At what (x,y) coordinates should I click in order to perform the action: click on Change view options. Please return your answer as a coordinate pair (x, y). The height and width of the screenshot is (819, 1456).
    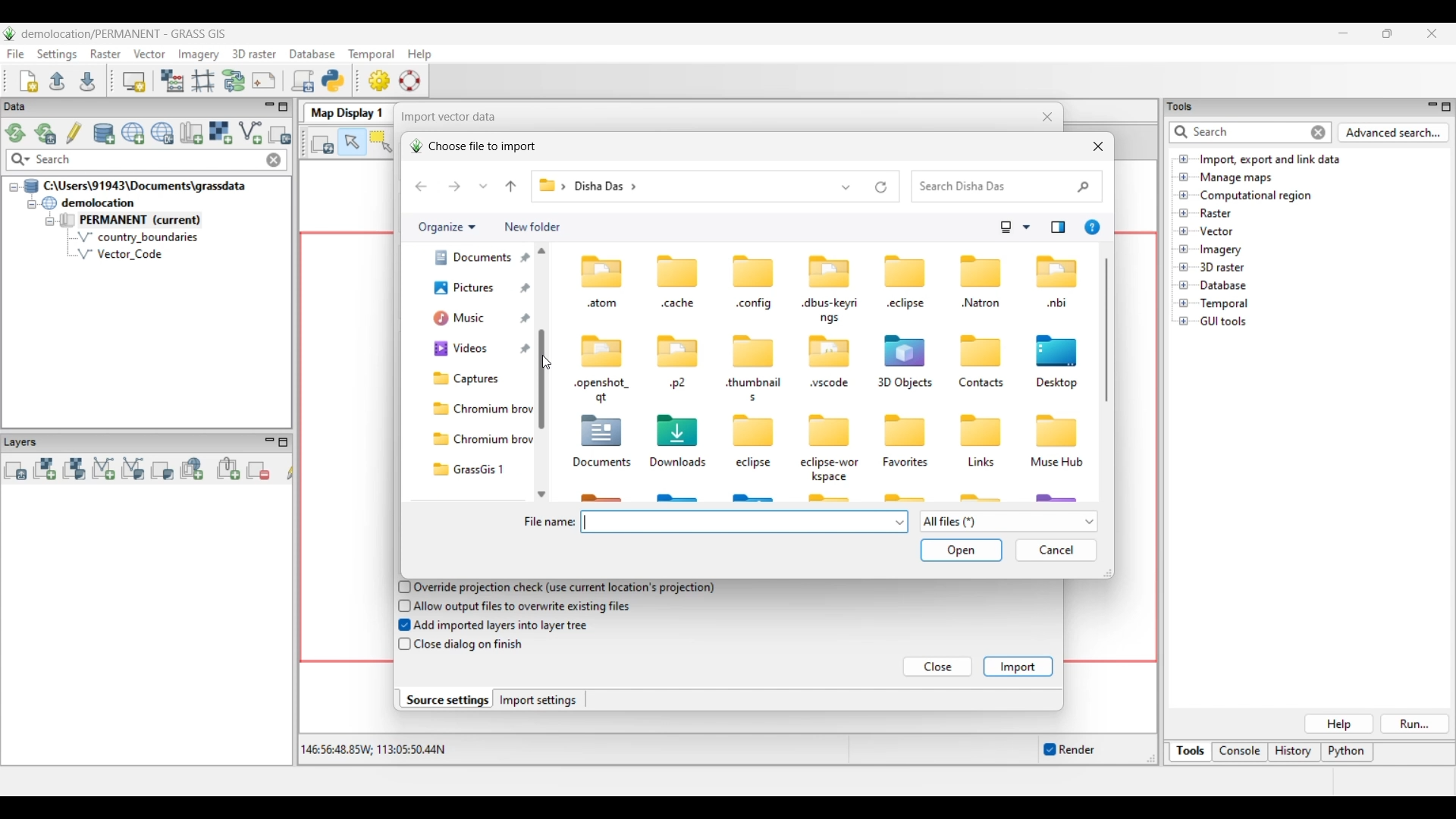
    Looking at the image, I should click on (1026, 227).